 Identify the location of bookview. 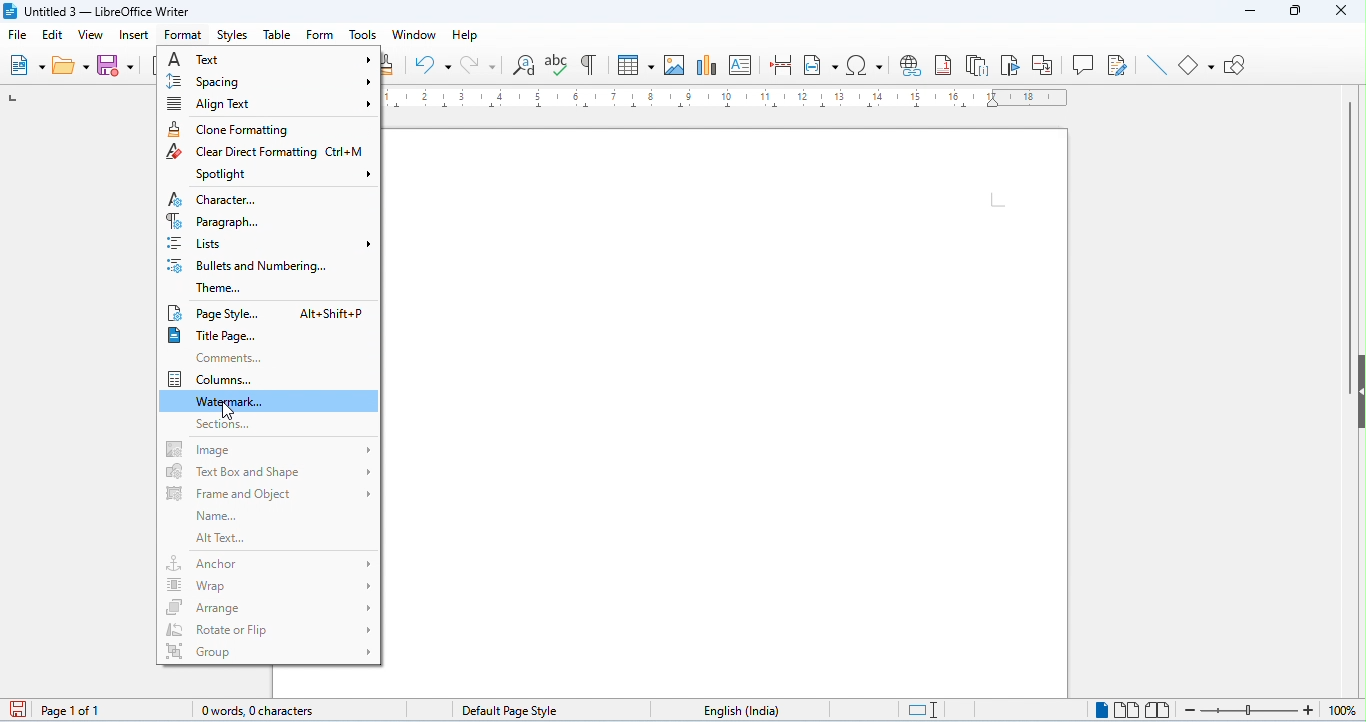
(1161, 710).